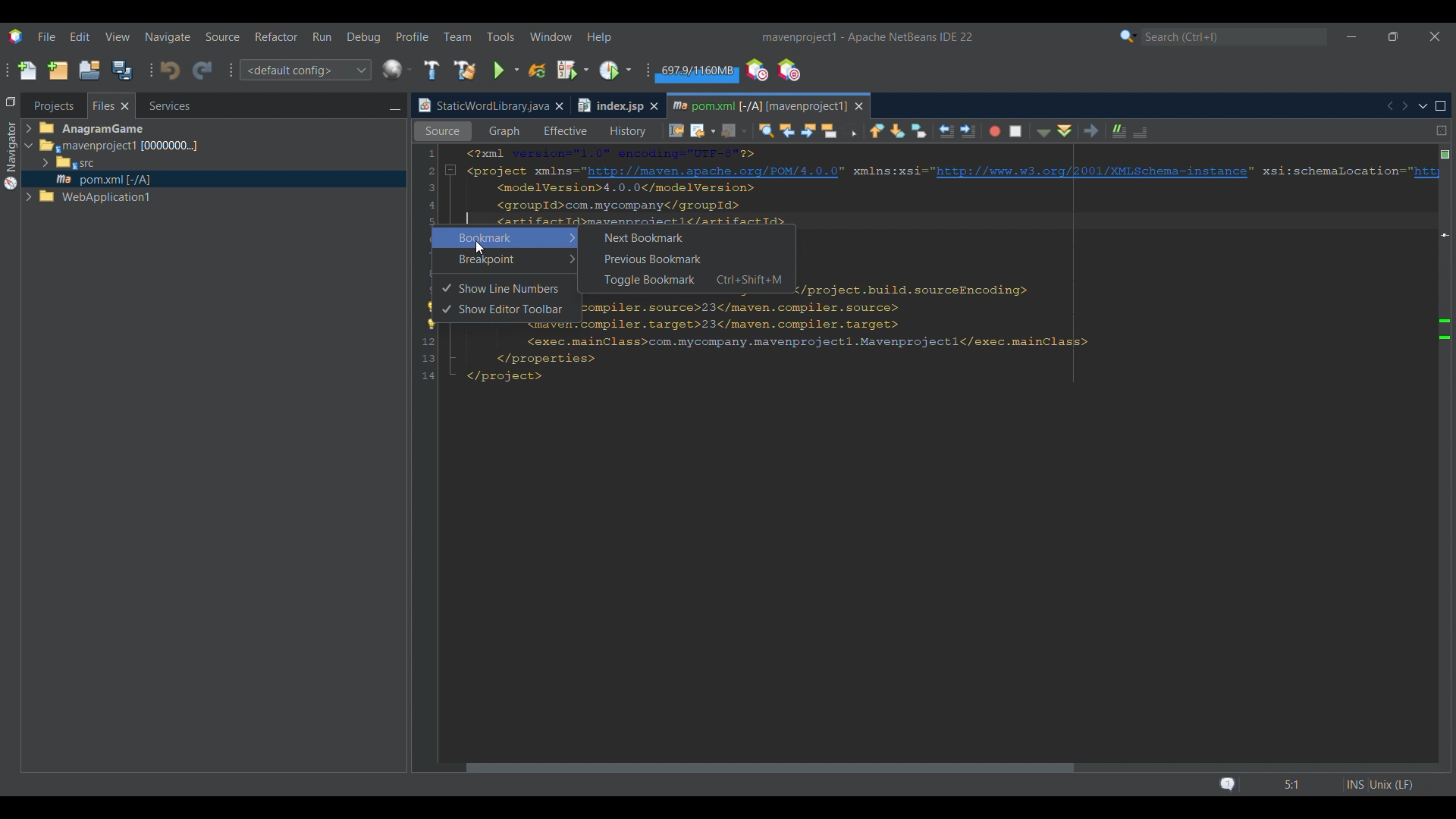 Image resolution: width=1456 pixels, height=819 pixels. Describe the element at coordinates (107, 165) in the screenshot. I see `Options under Files tab` at that location.